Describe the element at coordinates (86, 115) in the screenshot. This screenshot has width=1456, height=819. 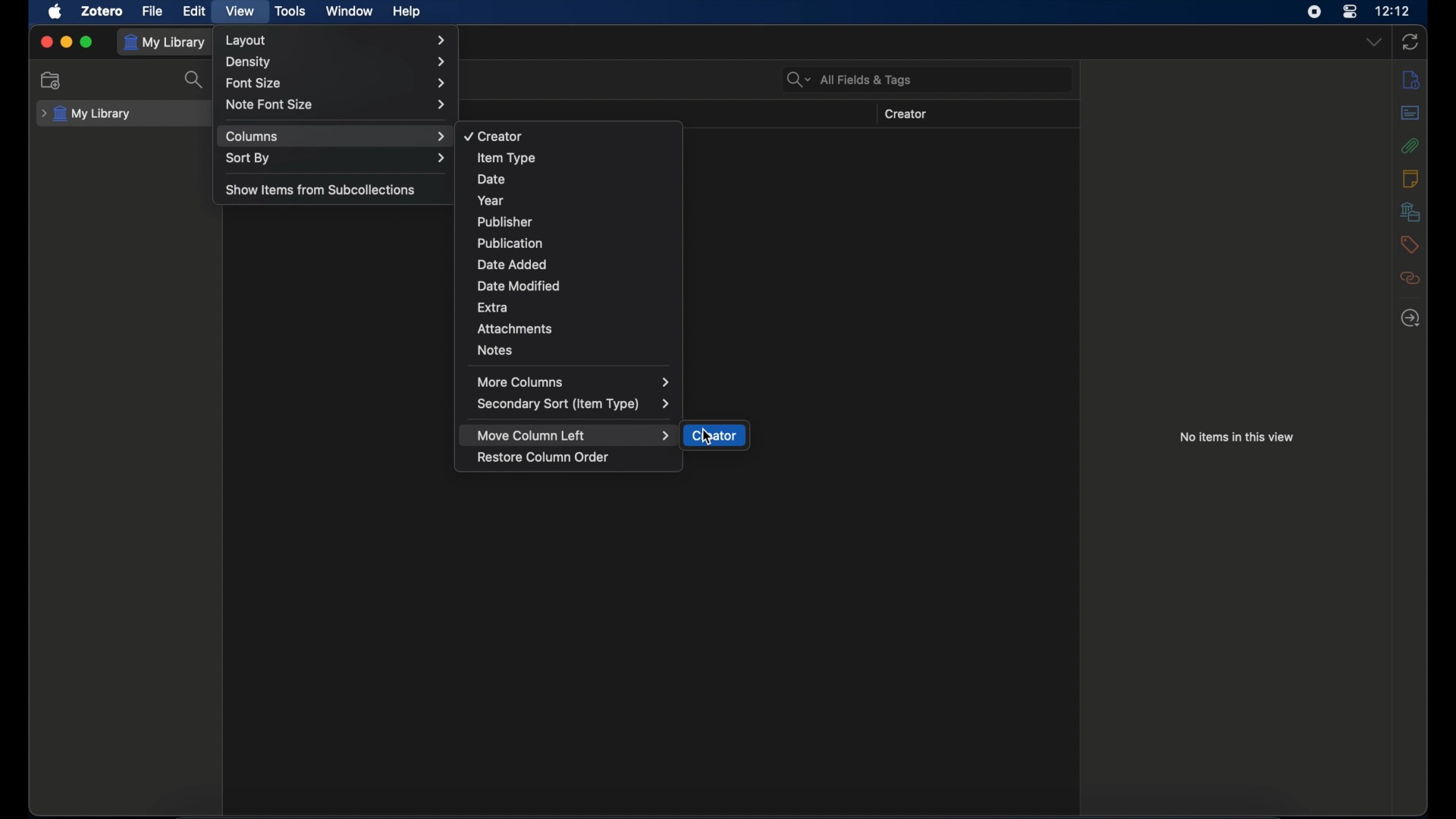
I see `my library` at that location.